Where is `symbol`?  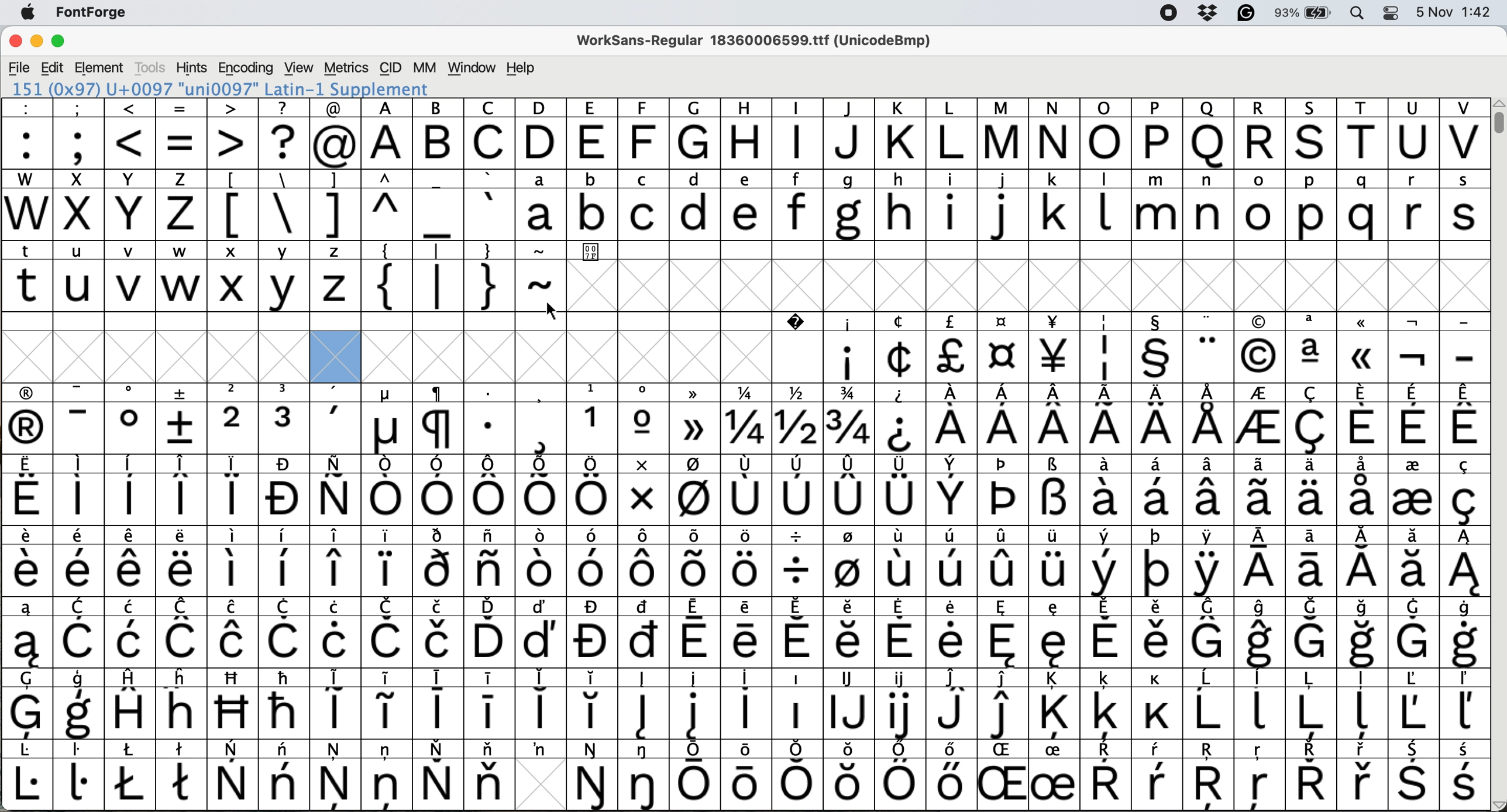 symbol is located at coordinates (489, 632).